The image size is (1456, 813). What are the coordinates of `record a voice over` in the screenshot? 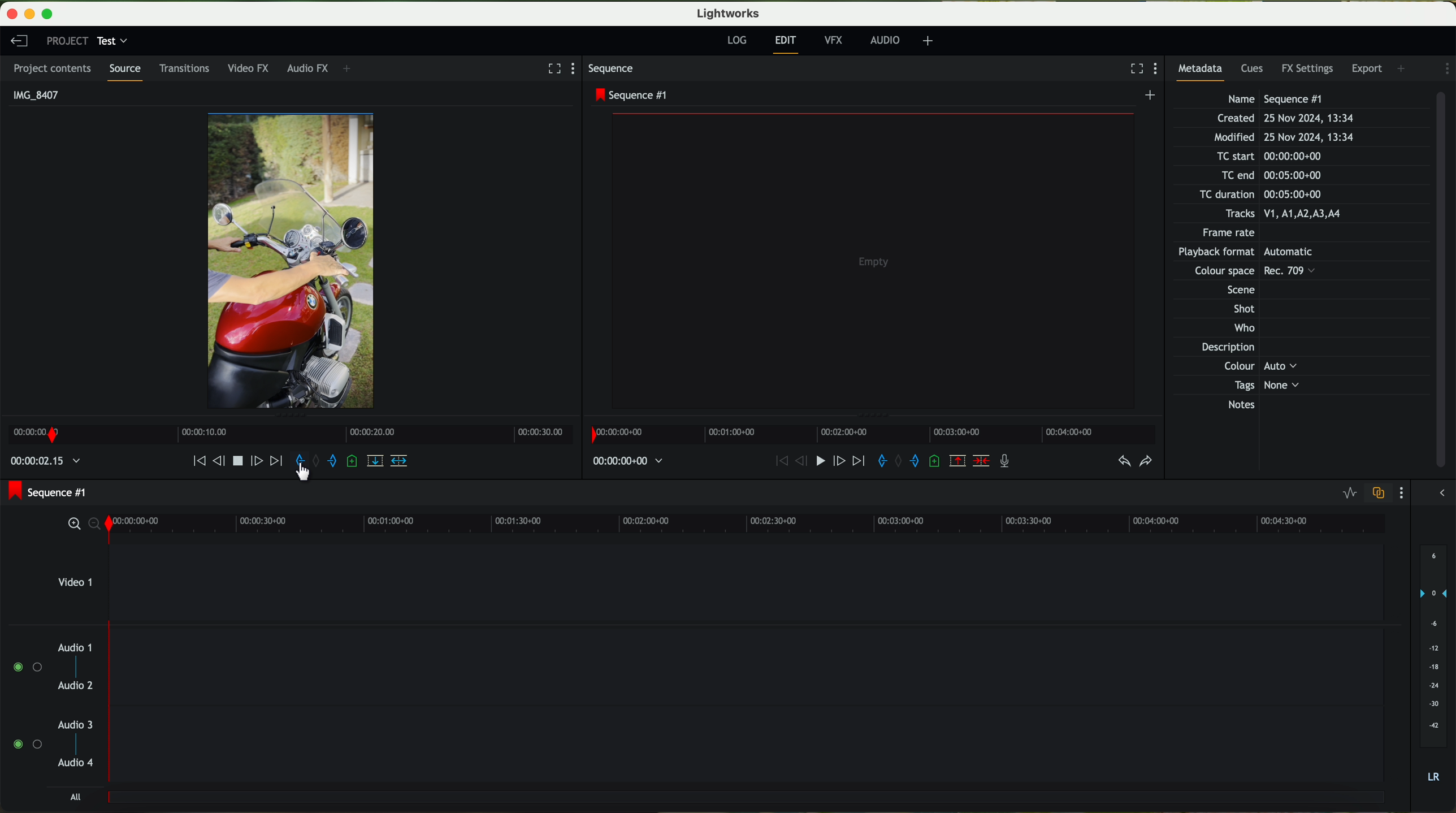 It's located at (1006, 460).